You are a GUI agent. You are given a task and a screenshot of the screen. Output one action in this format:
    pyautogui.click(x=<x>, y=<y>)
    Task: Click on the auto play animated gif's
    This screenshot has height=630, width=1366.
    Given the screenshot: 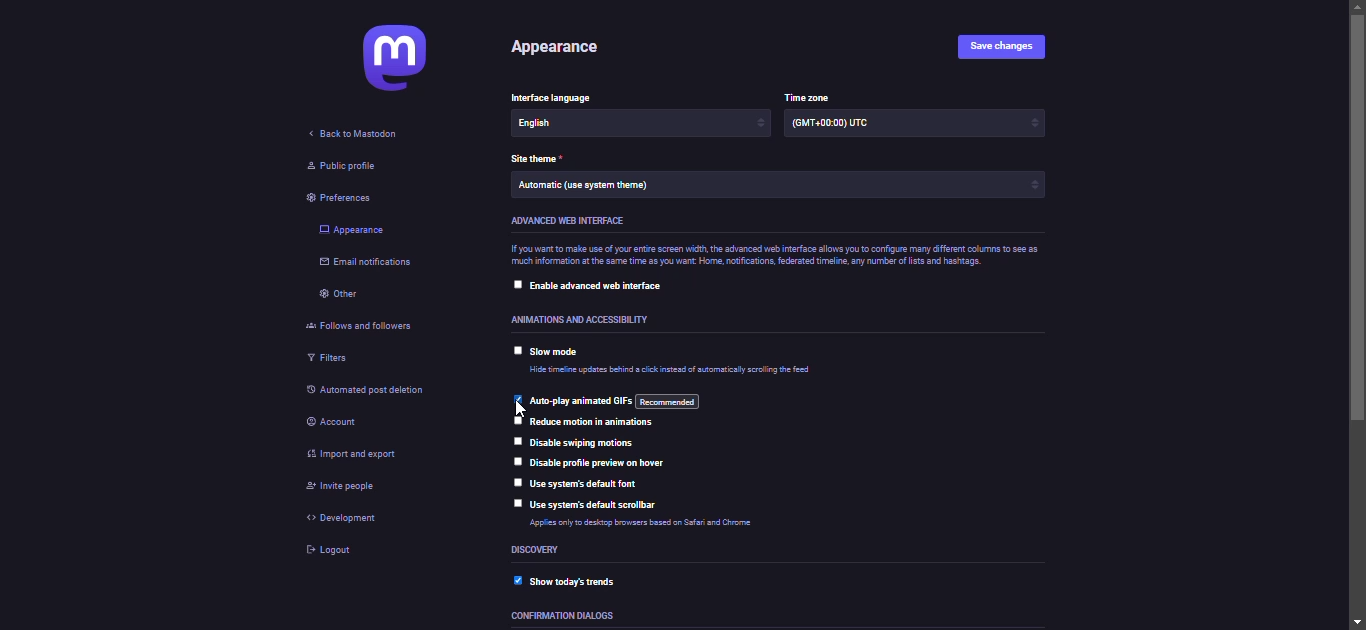 What is the action you would take?
    pyautogui.click(x=614, y=401)
    